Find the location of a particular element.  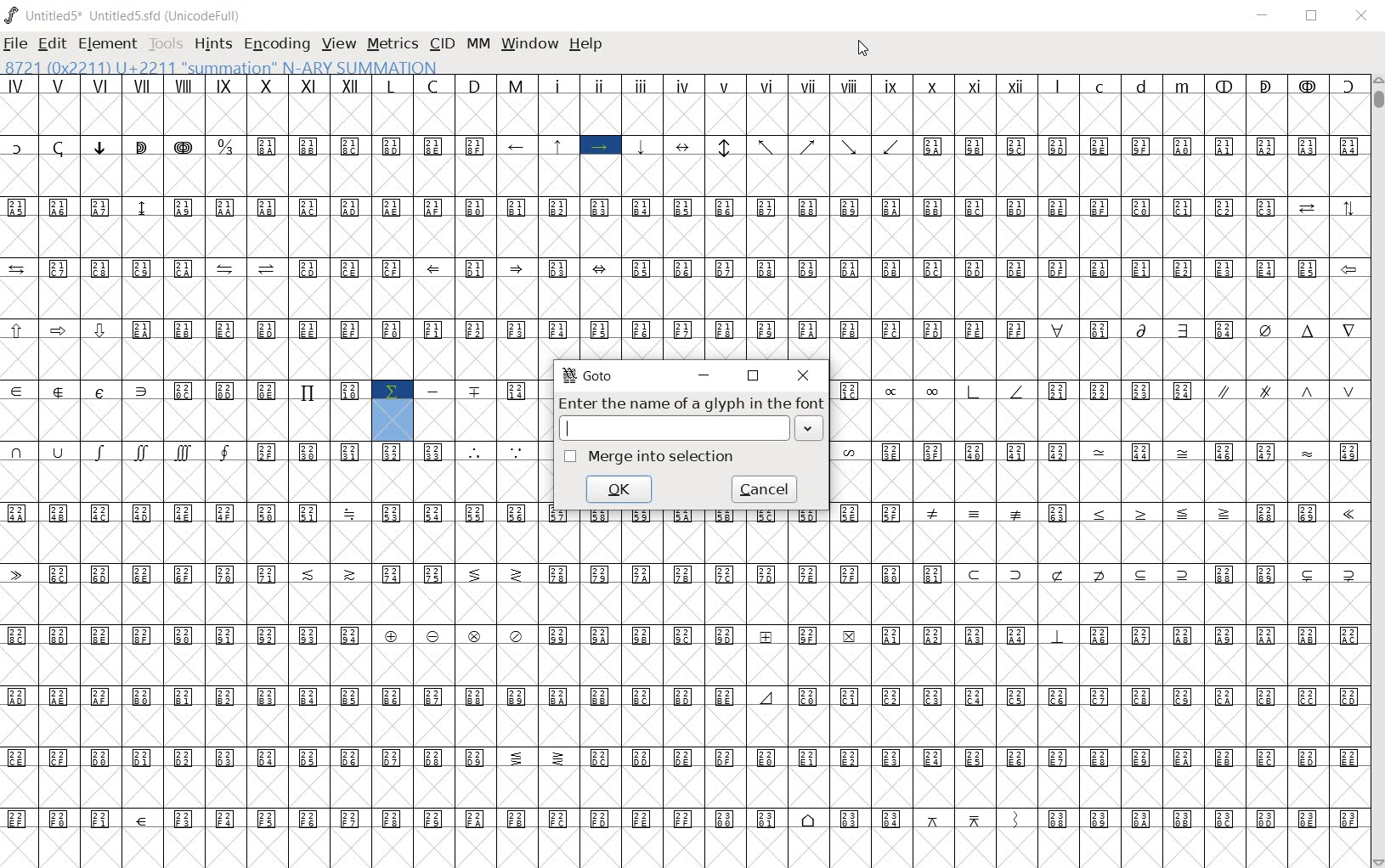

EDIT is located at coordinates (52, 45).